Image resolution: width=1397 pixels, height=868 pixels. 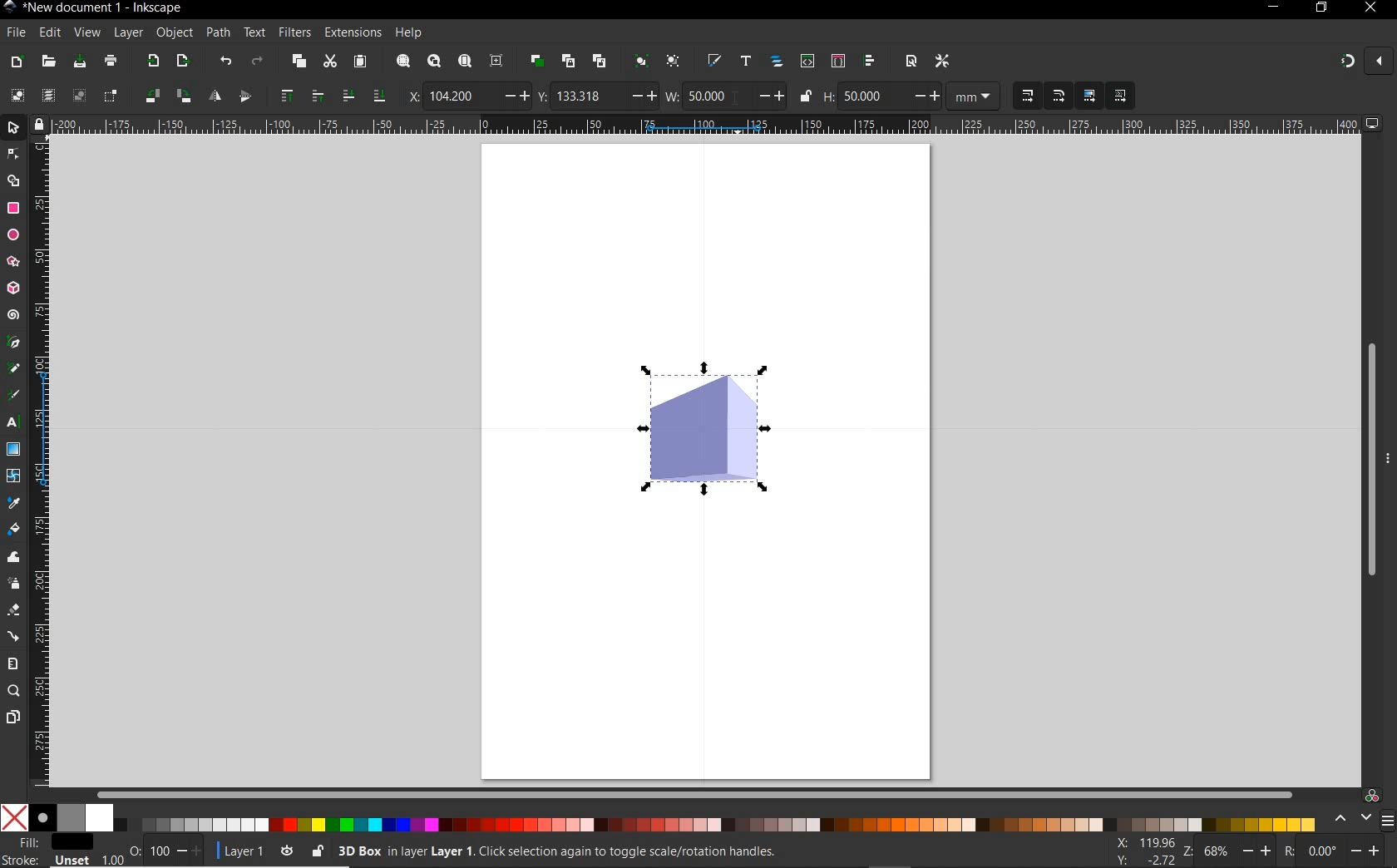 What do you see at coordinates (1388, 821) in the screenshot?
I see `menu` at bounding box center [1388, 821].